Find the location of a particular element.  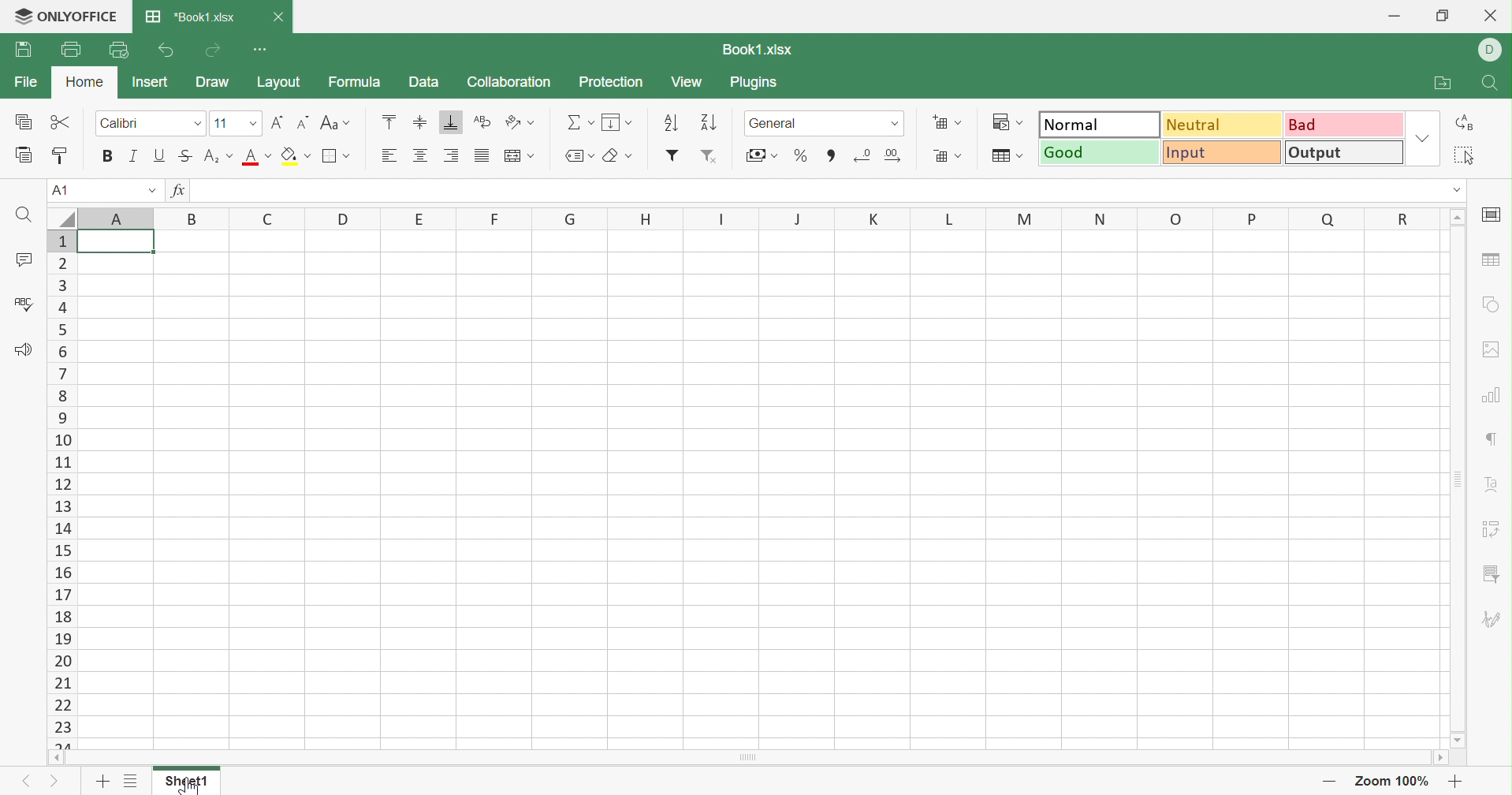

List of sheets is located at coordinates (128, 781).